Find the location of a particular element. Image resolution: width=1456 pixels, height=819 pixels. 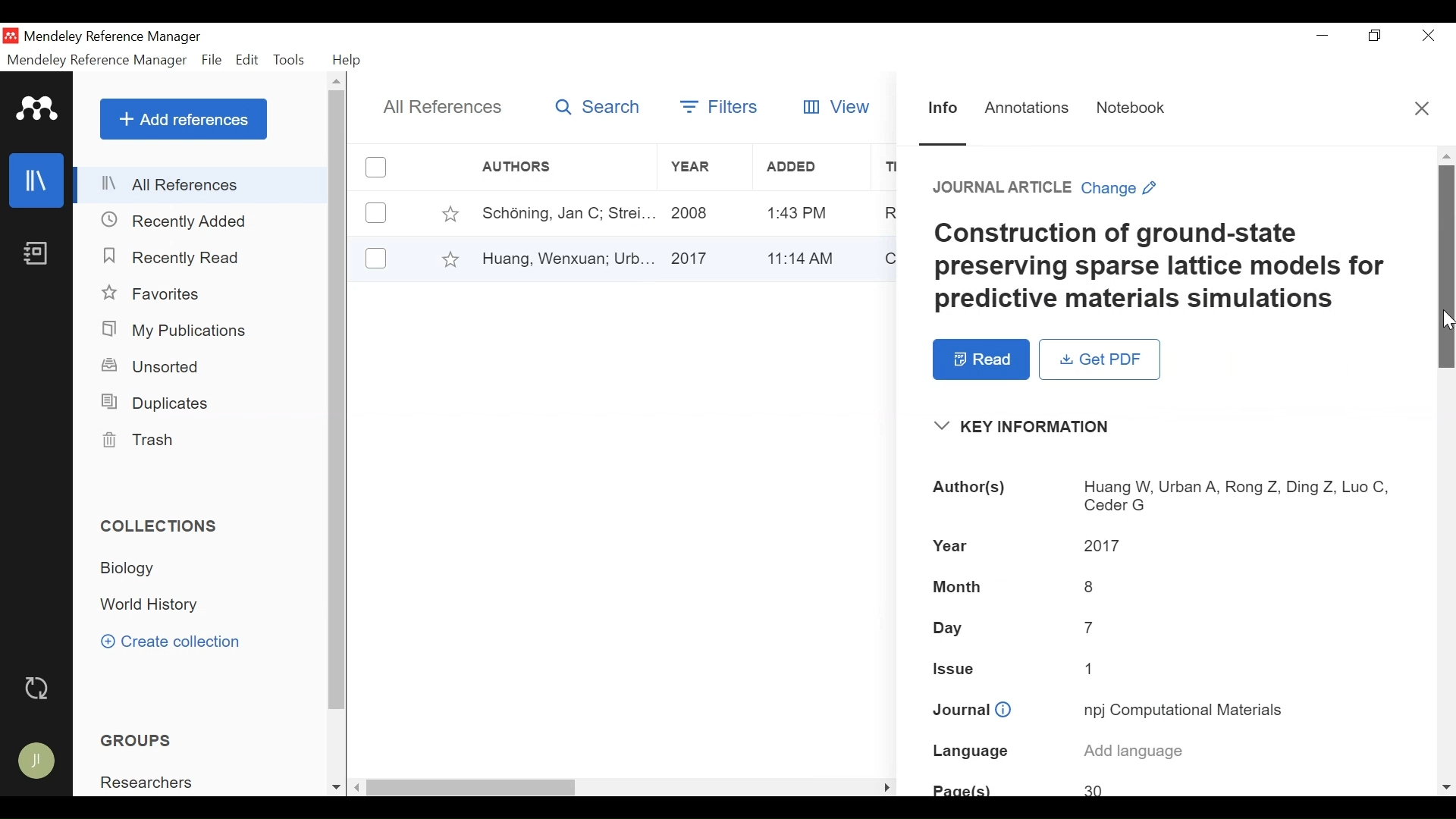

Scroll up is located at coordinates (1445, 155).